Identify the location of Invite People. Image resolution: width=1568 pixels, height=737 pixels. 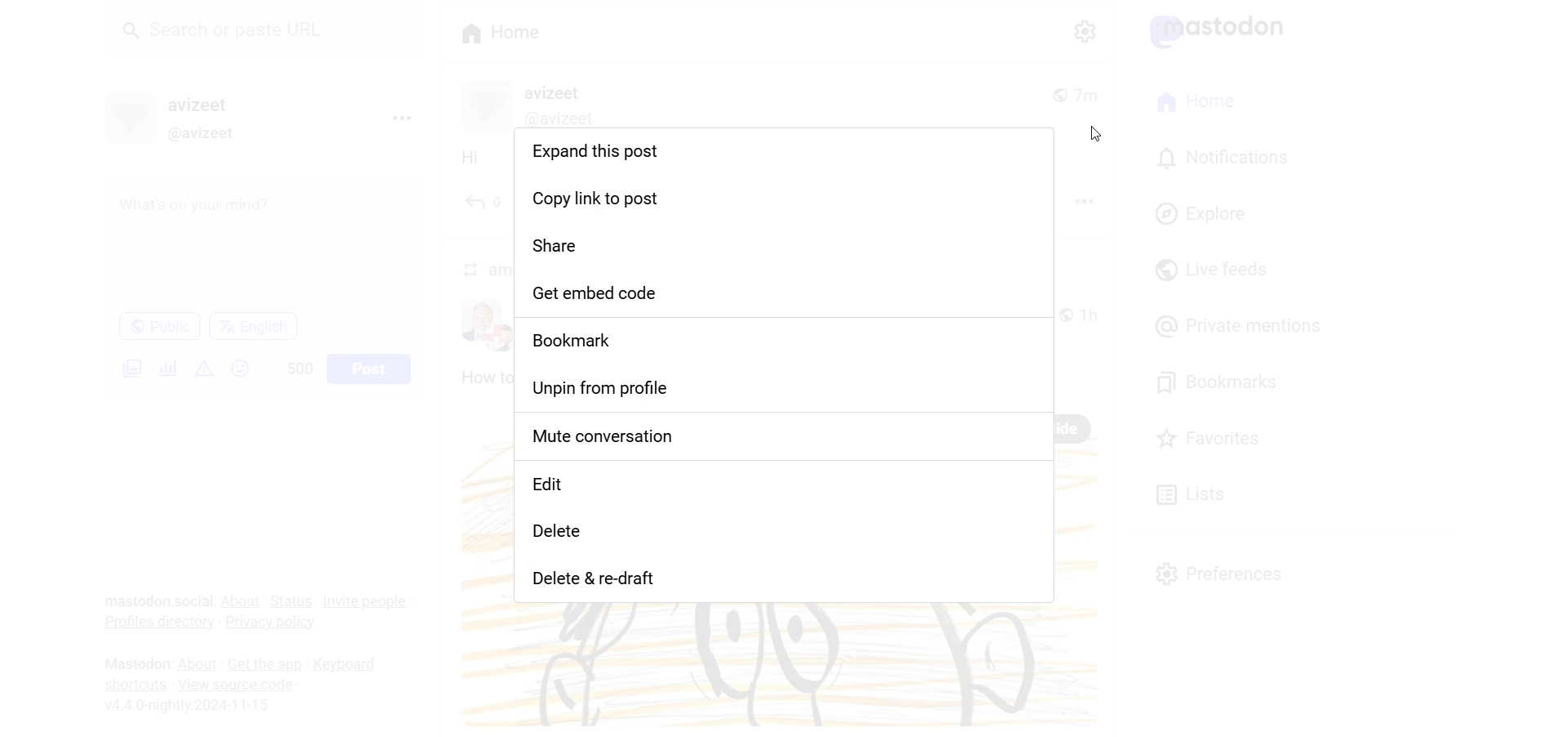
(367, 601).